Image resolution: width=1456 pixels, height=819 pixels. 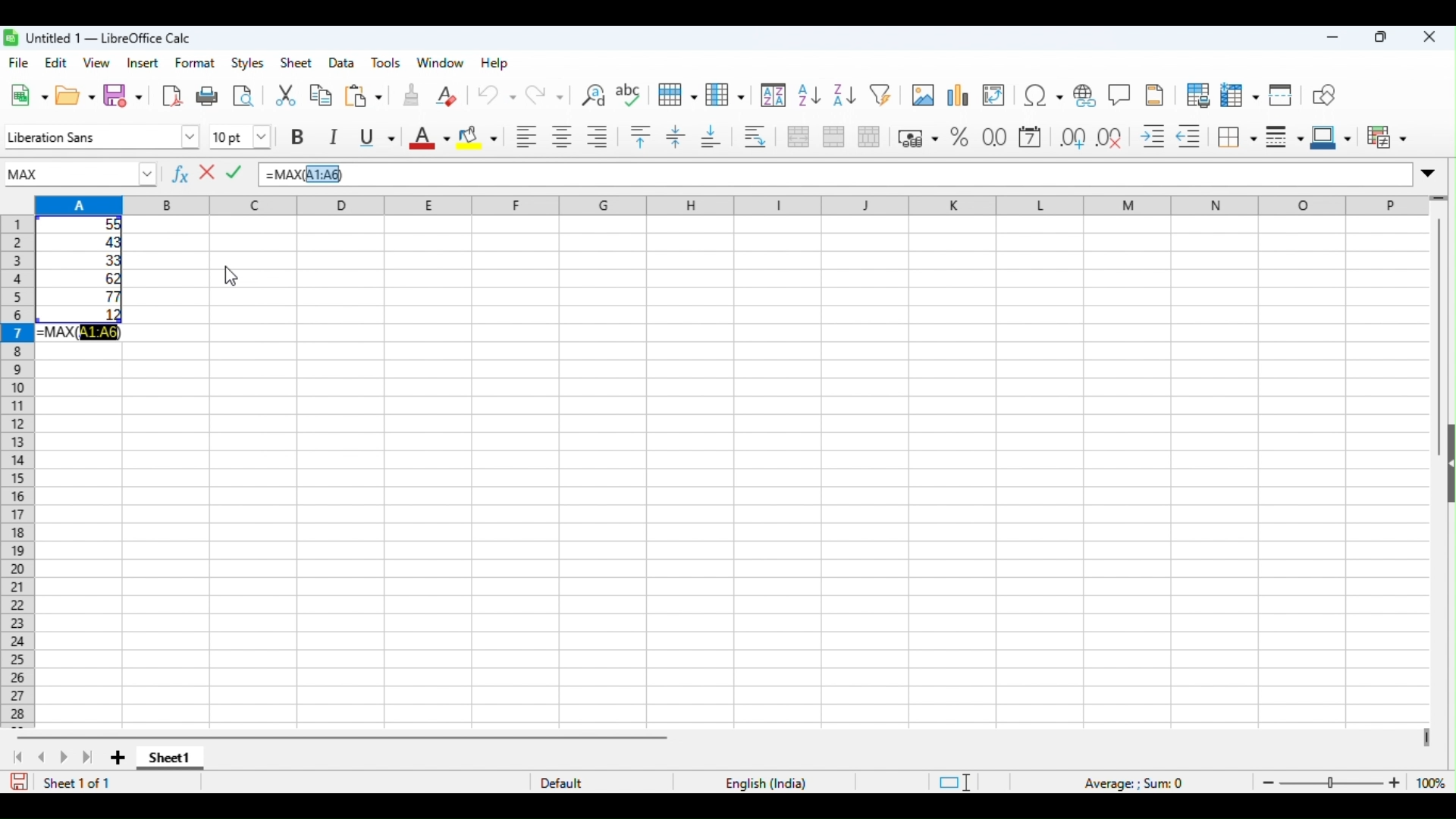 I want to click on edit, so click(x=55, y=62).